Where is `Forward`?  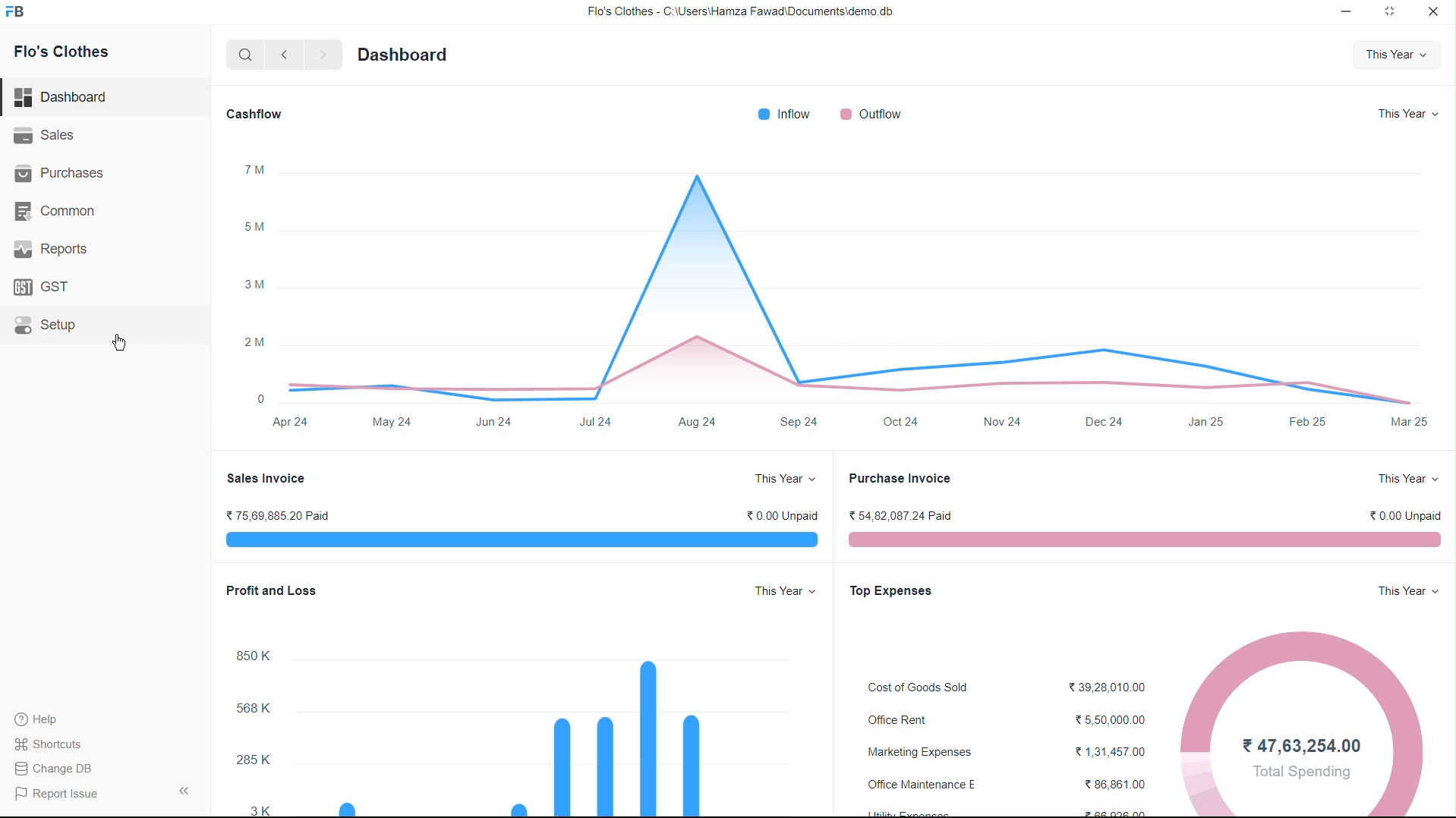 Forward is located at coordinates (323, 55).